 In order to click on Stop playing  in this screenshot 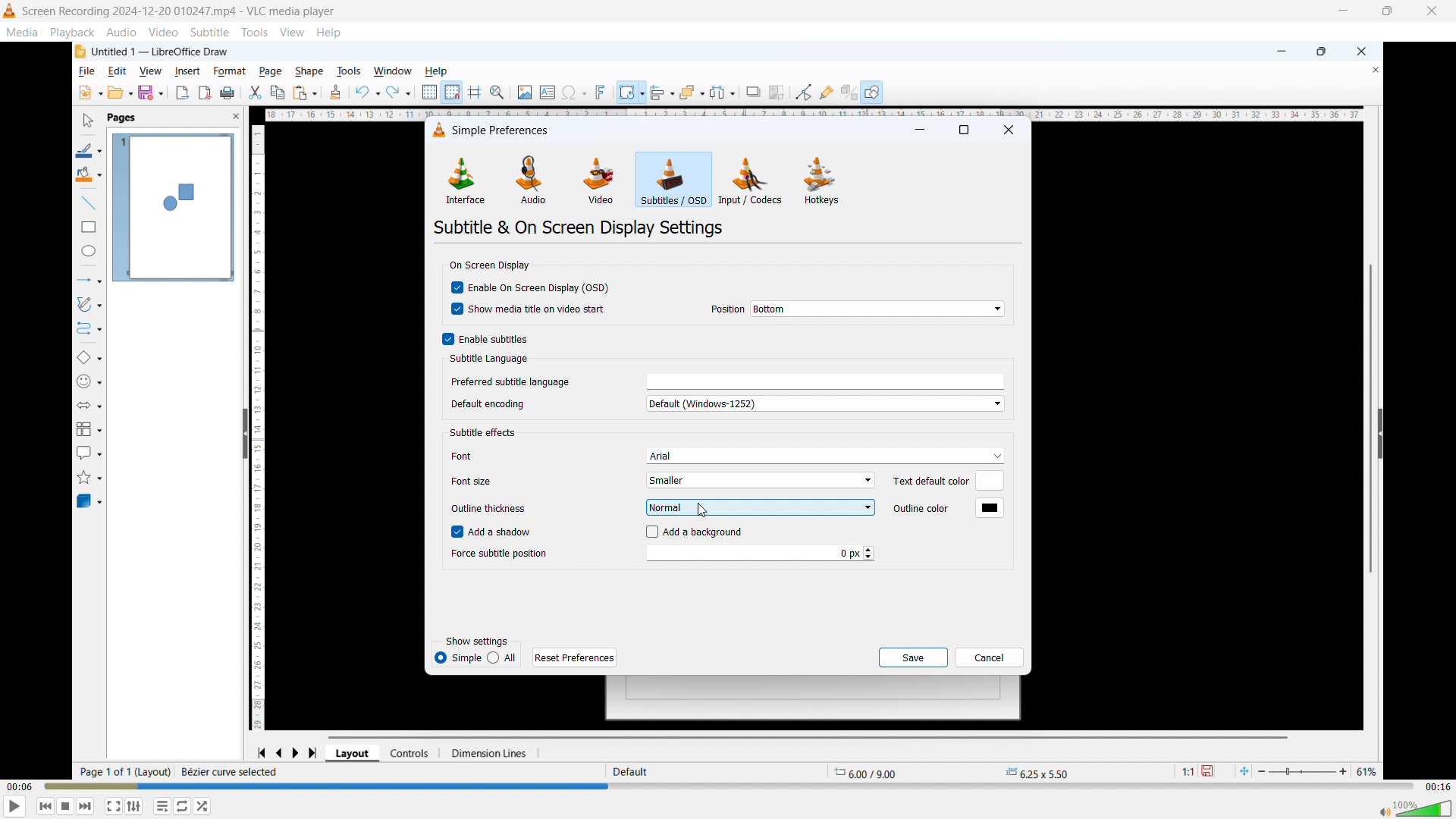, I will do `click(66, 806)`.